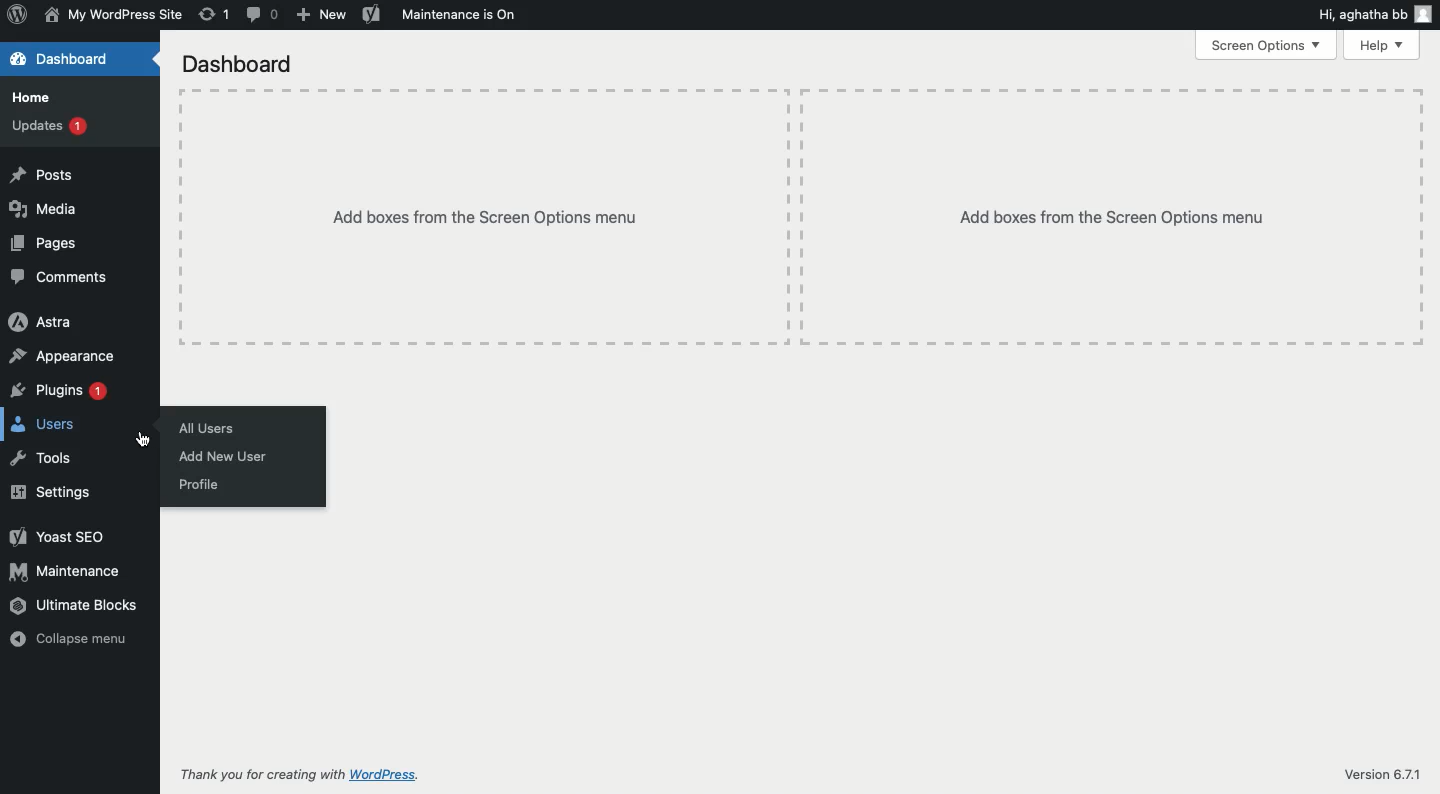  Describe the element at coordinates (38, 98) in the screenshot. I see `Home` at that location.